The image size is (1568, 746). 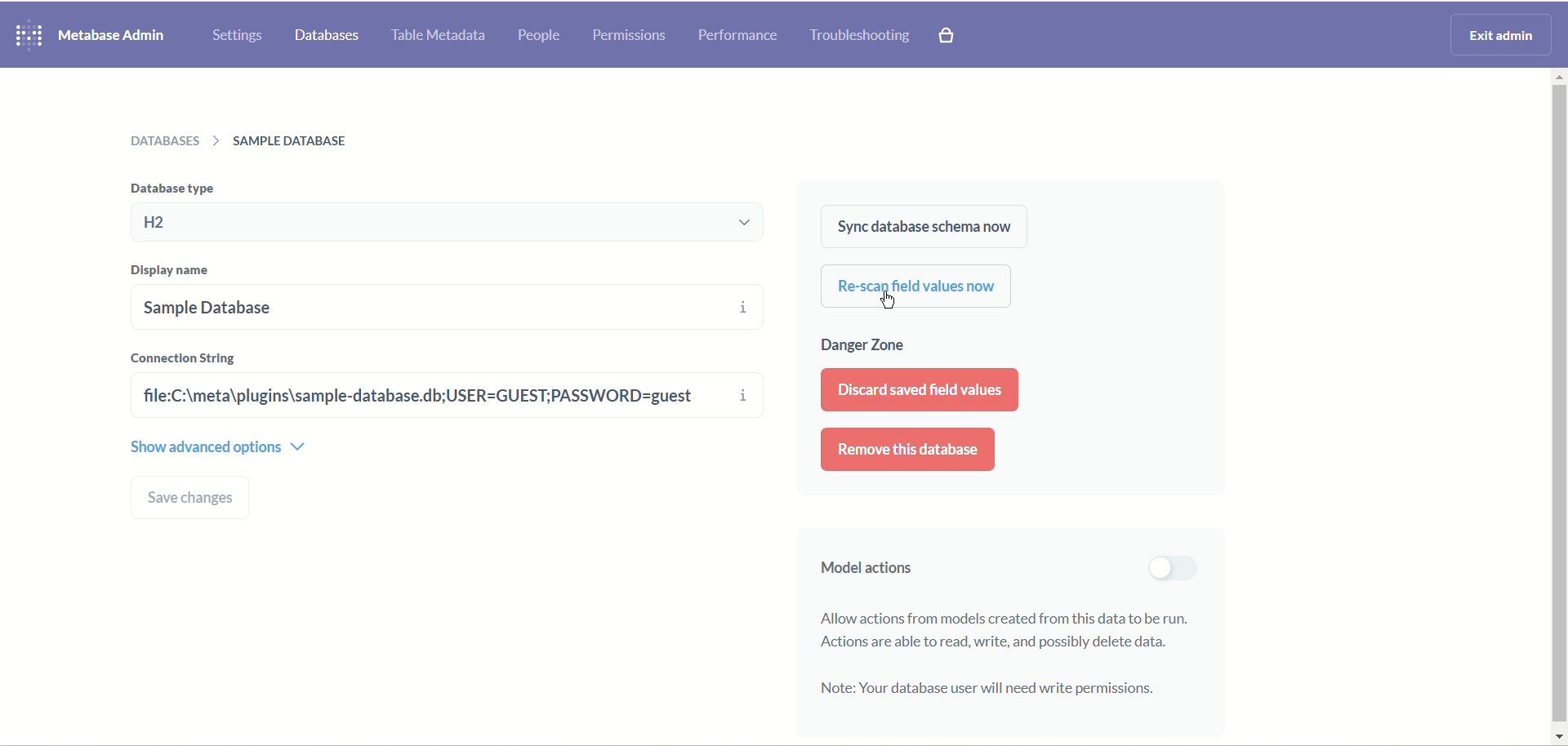 What do you see at coordinates (746, 355) in the screenshot?
I see `information` at bounding box center [746, 355].